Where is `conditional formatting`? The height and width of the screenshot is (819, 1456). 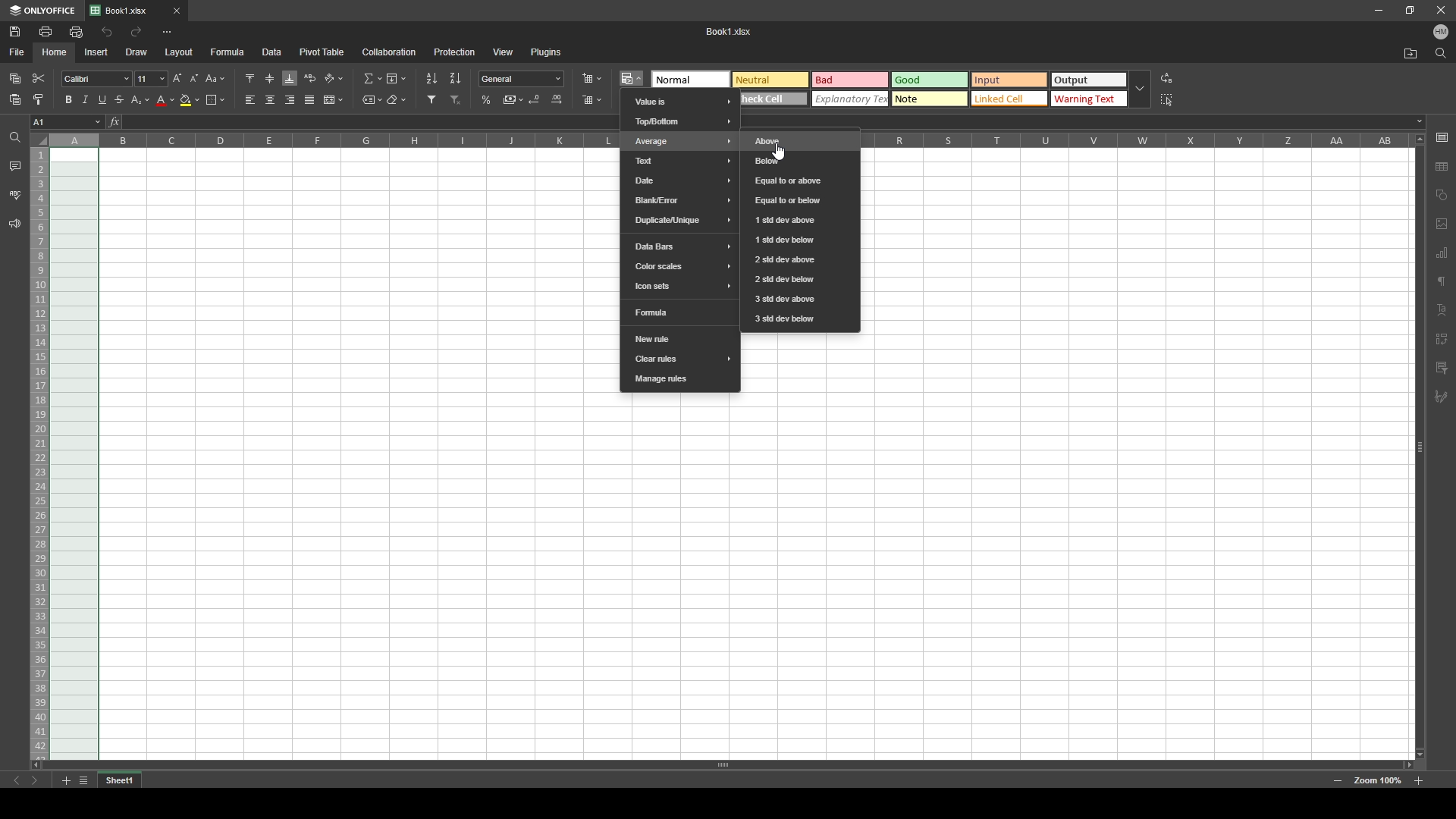 conditional formatting is located at coordinates (633, 77).